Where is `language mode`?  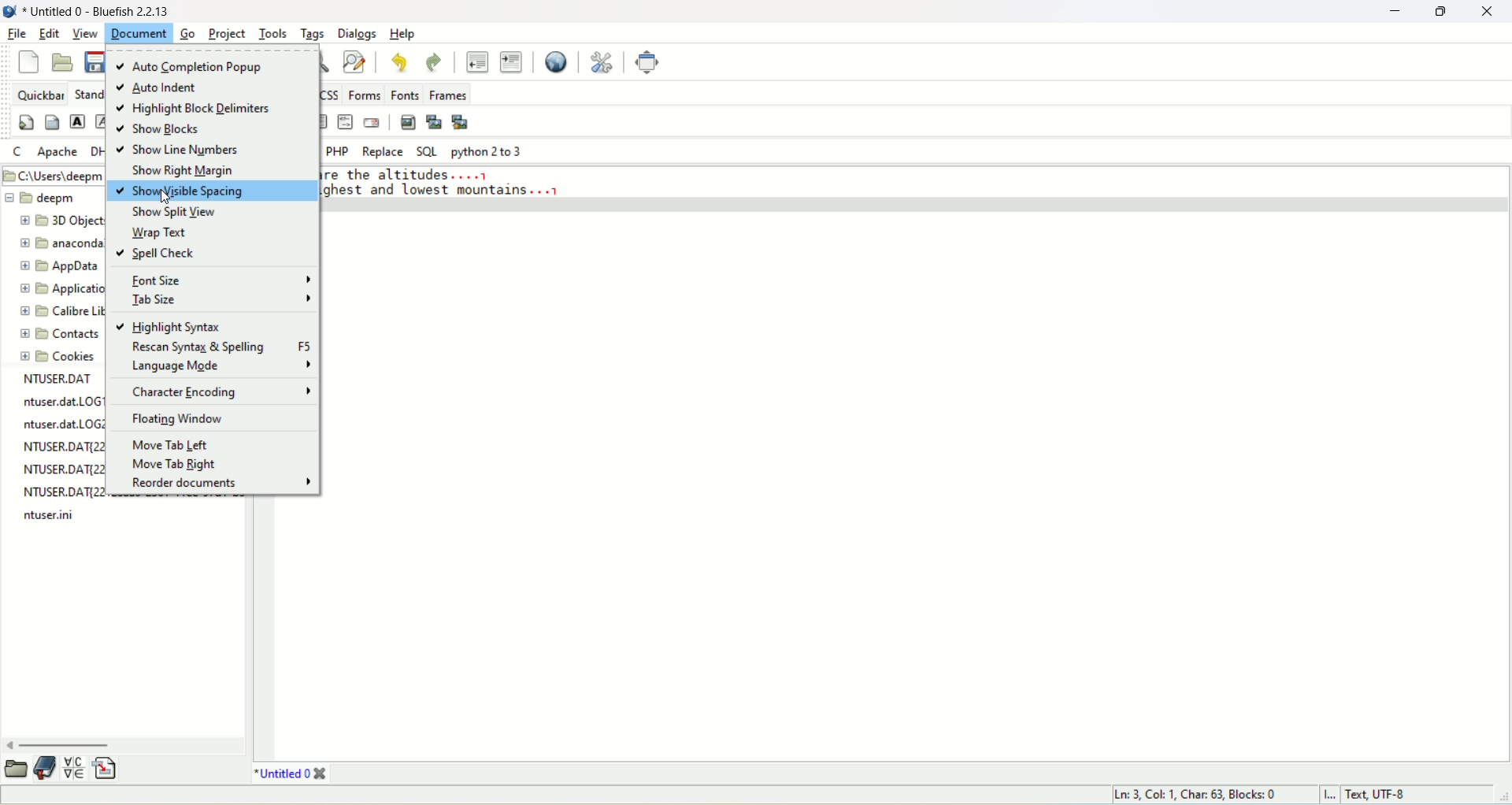
language mode is located at coordinates (220, 367).